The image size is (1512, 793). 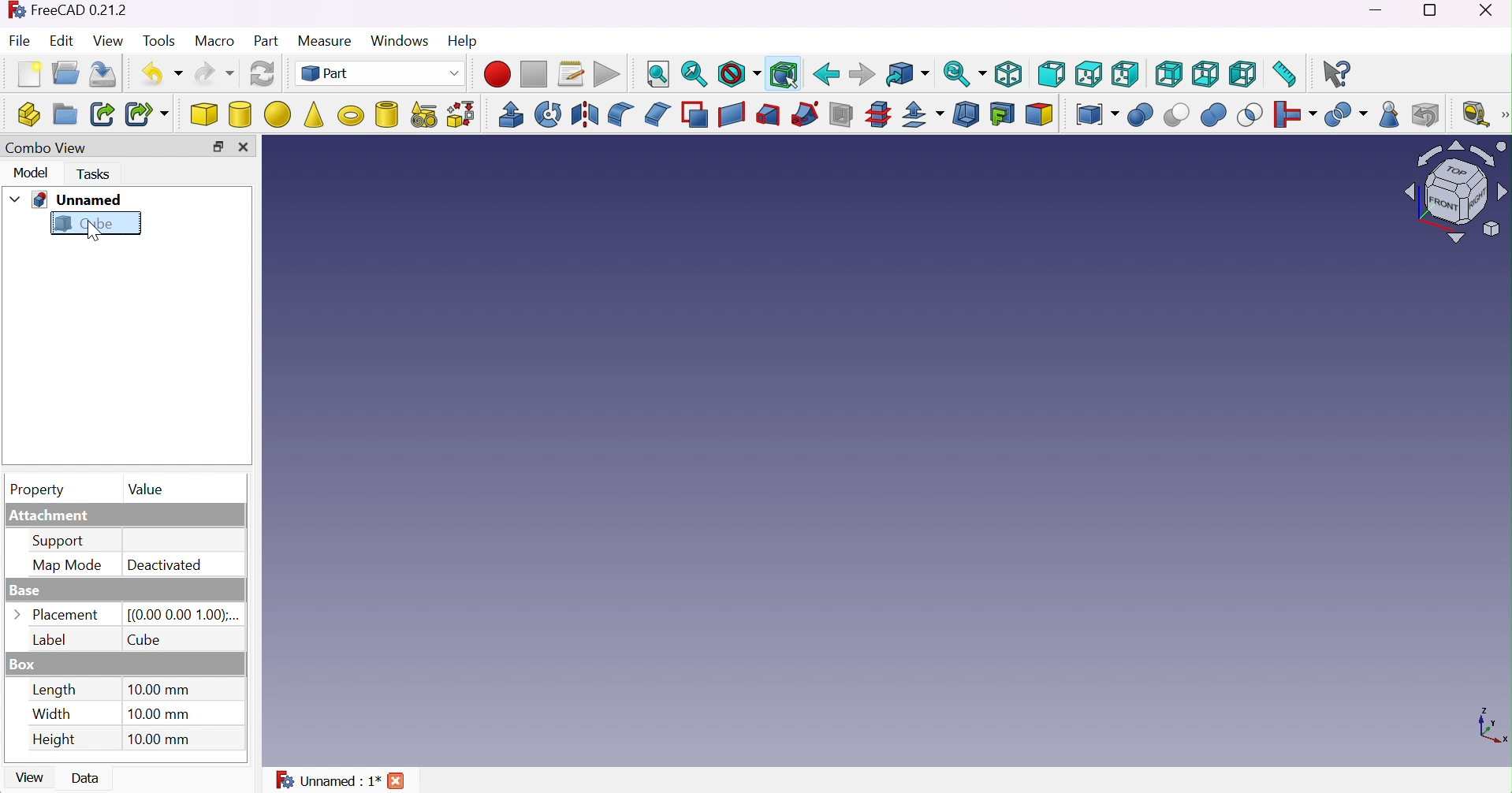 I want to click on Open, so click(x=65, y=73).